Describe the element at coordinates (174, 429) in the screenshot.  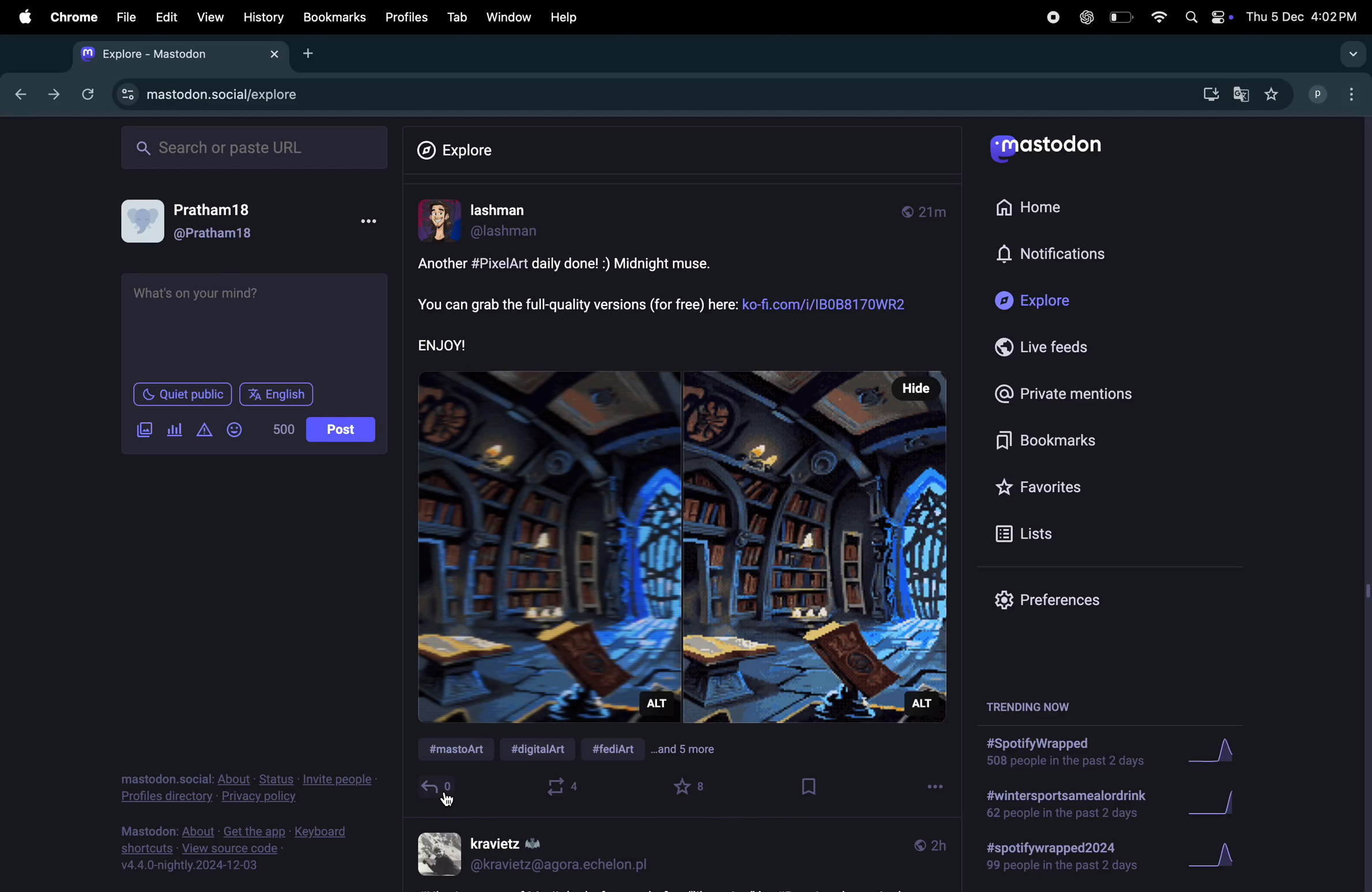
I see `poll` at that location.